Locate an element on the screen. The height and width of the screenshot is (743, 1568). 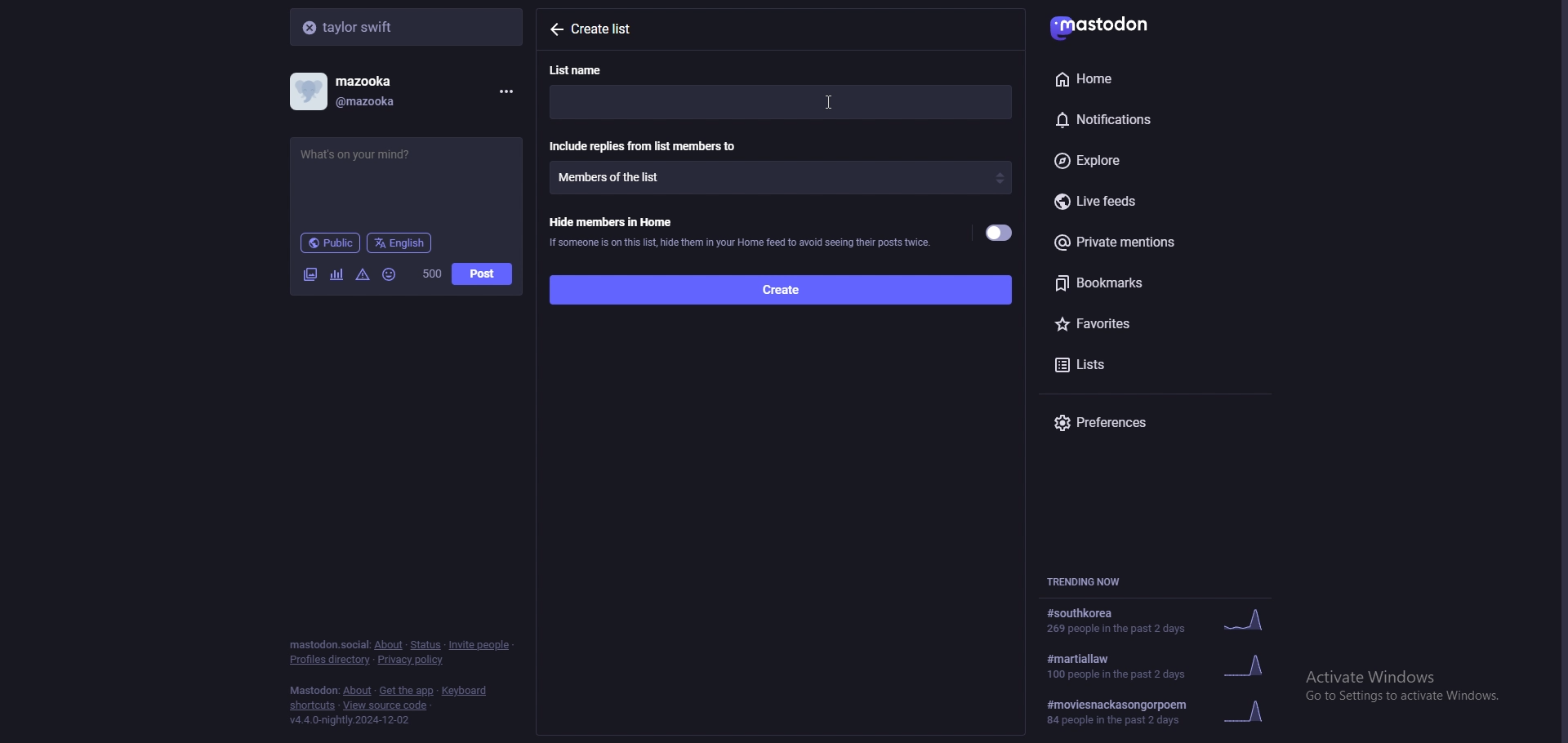
emoji is located at coordinates (390, 274).